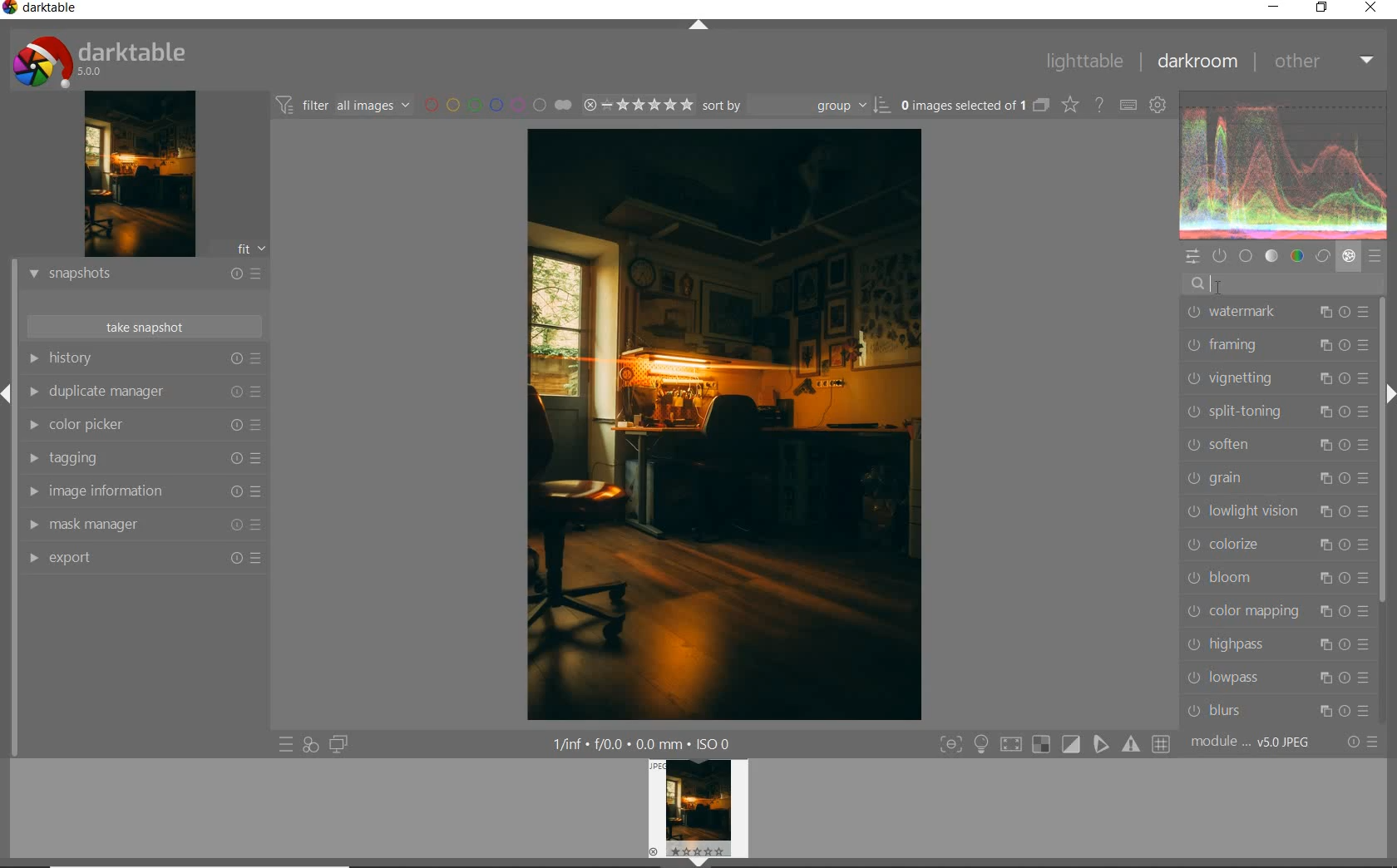  I want to click on system logo, so click(96, 61).